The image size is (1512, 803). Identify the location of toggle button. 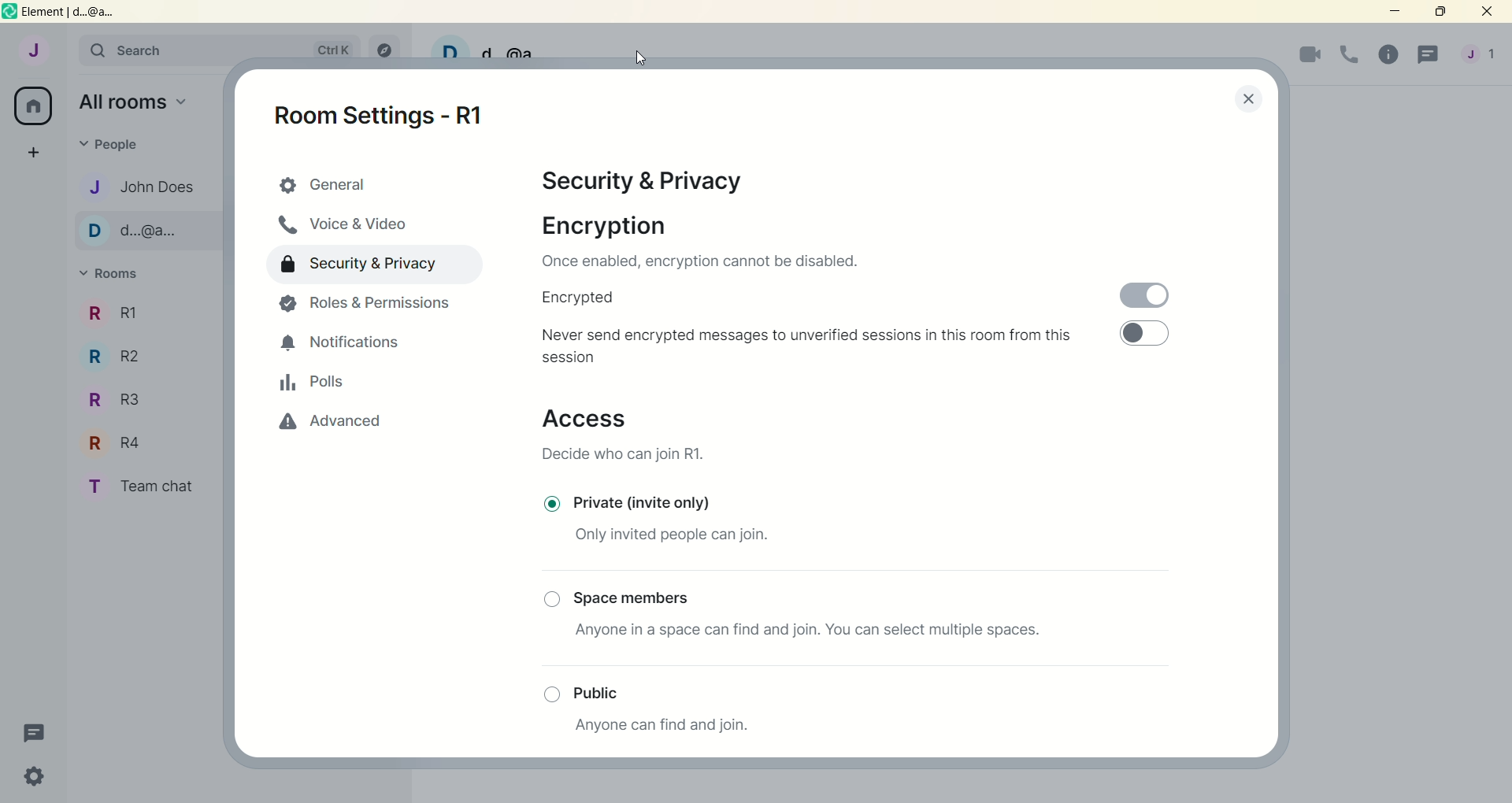
(1155, 338).